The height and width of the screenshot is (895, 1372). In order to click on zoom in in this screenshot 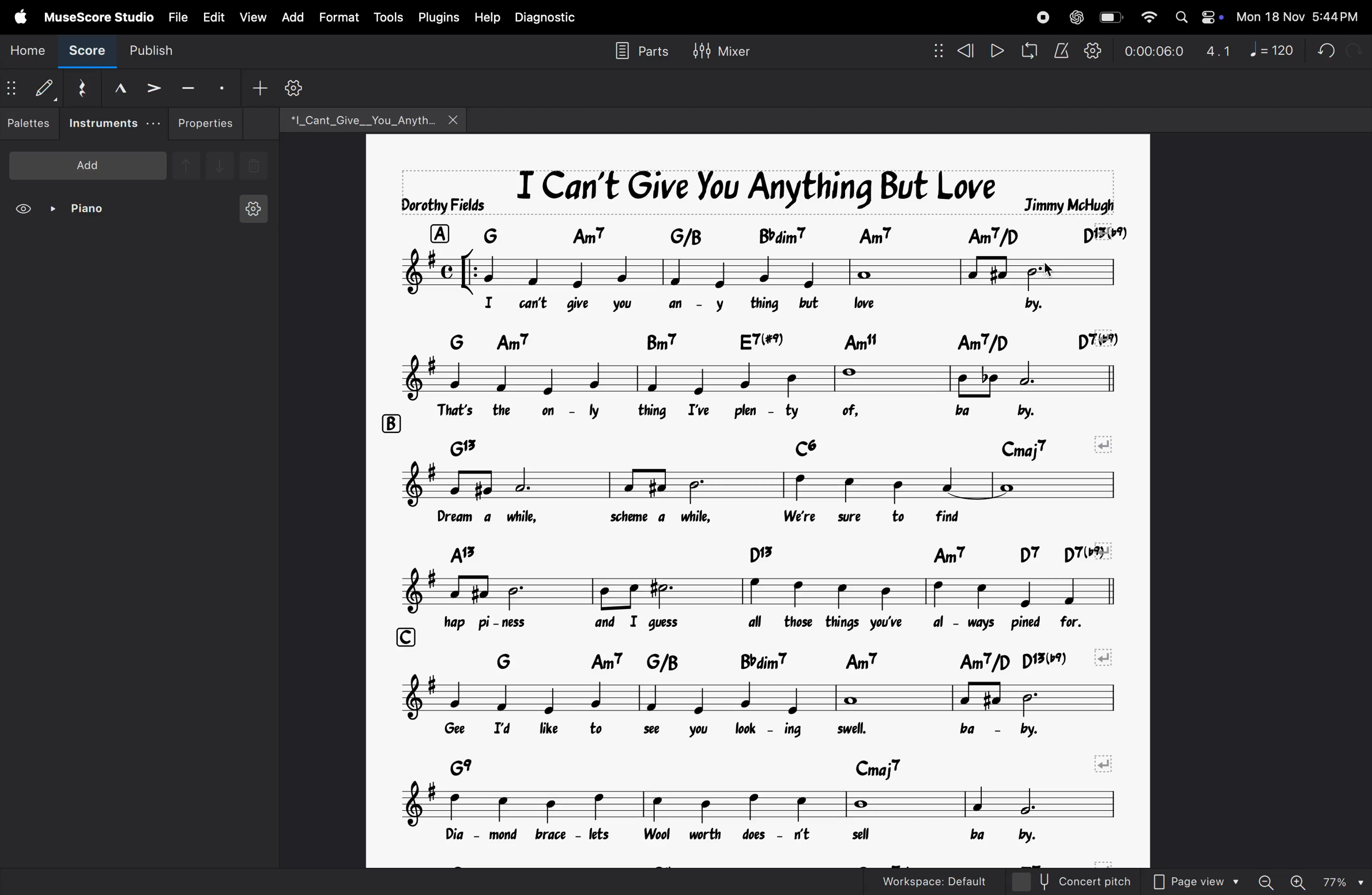, I will do `click(1298, 881)`.